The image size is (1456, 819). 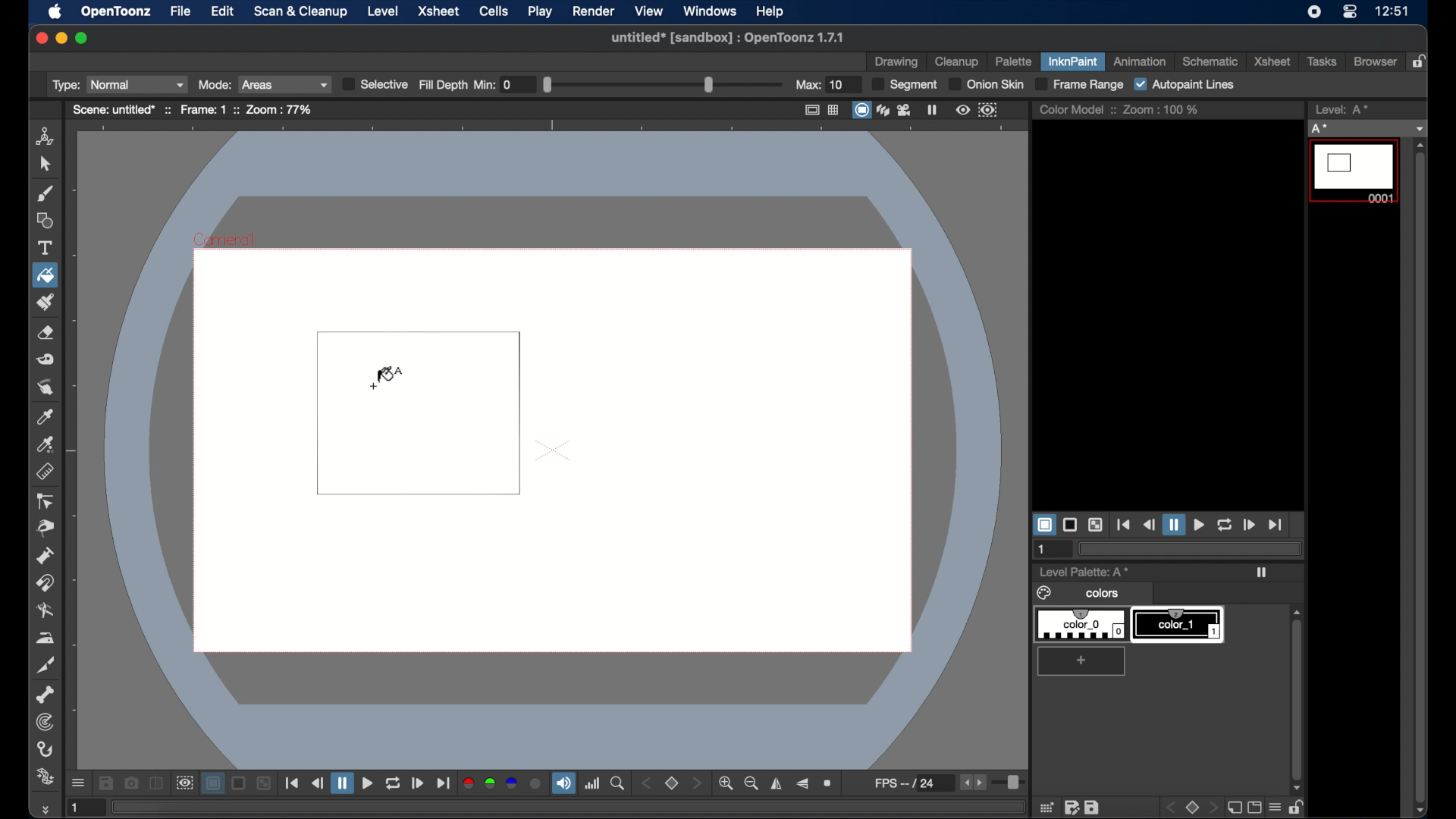 I want to click on slider, so click(x=1011, y=784).